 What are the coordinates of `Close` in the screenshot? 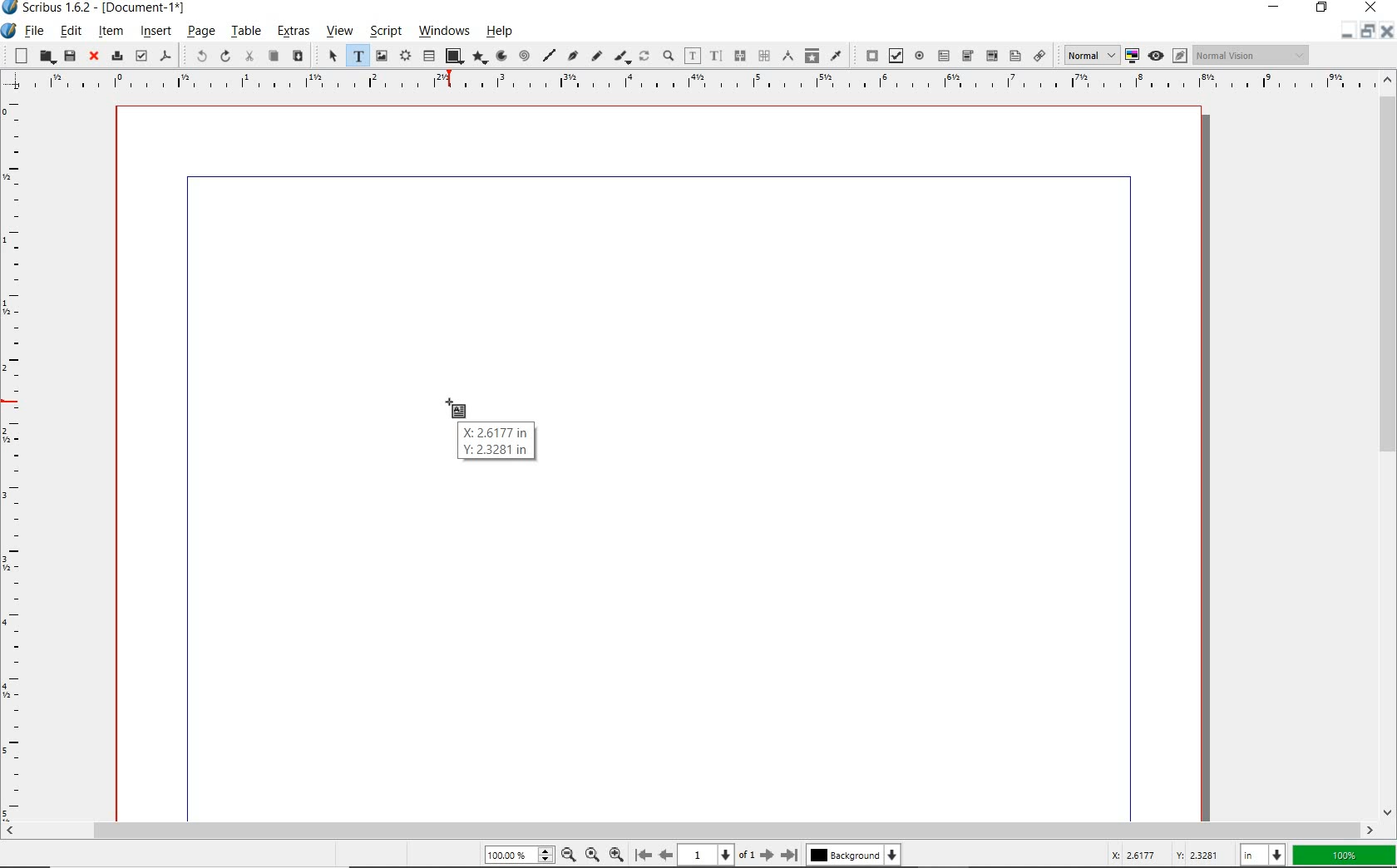 It's located at (1386, 32).